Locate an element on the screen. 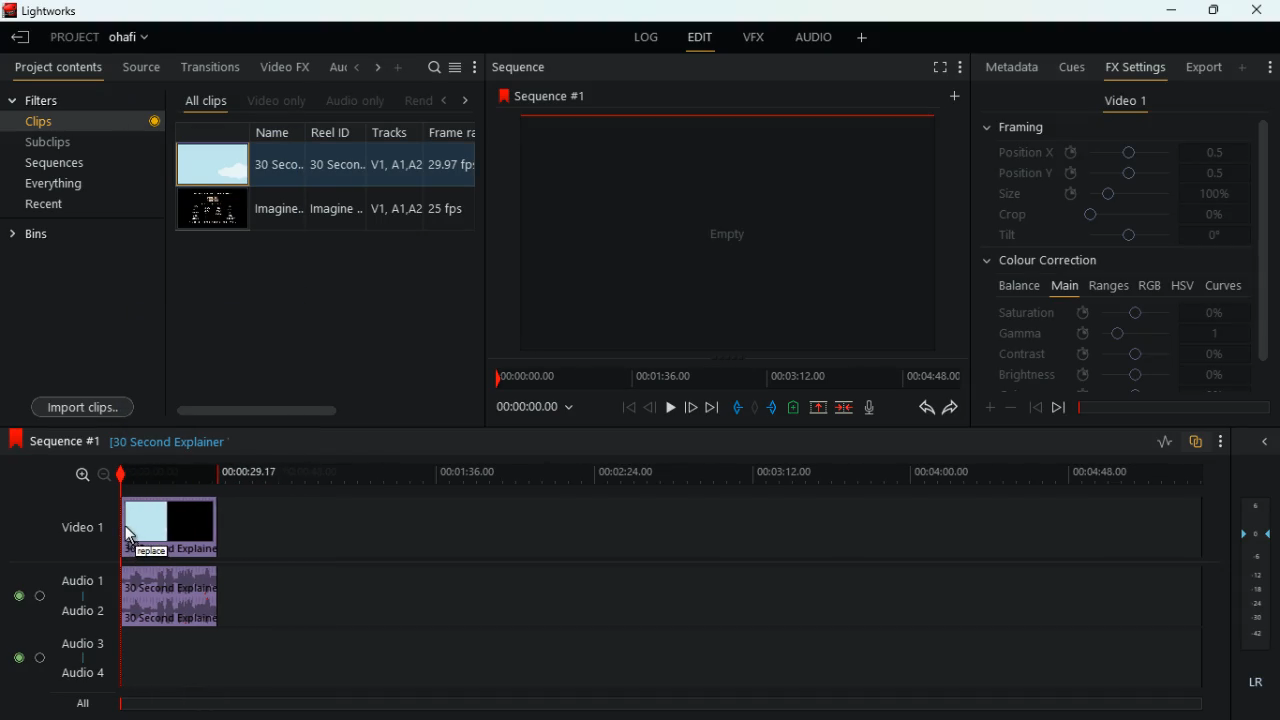 Image resolution: width=1280 pixels, height=720 pixels. position x is located at coordinates (1112, 151).